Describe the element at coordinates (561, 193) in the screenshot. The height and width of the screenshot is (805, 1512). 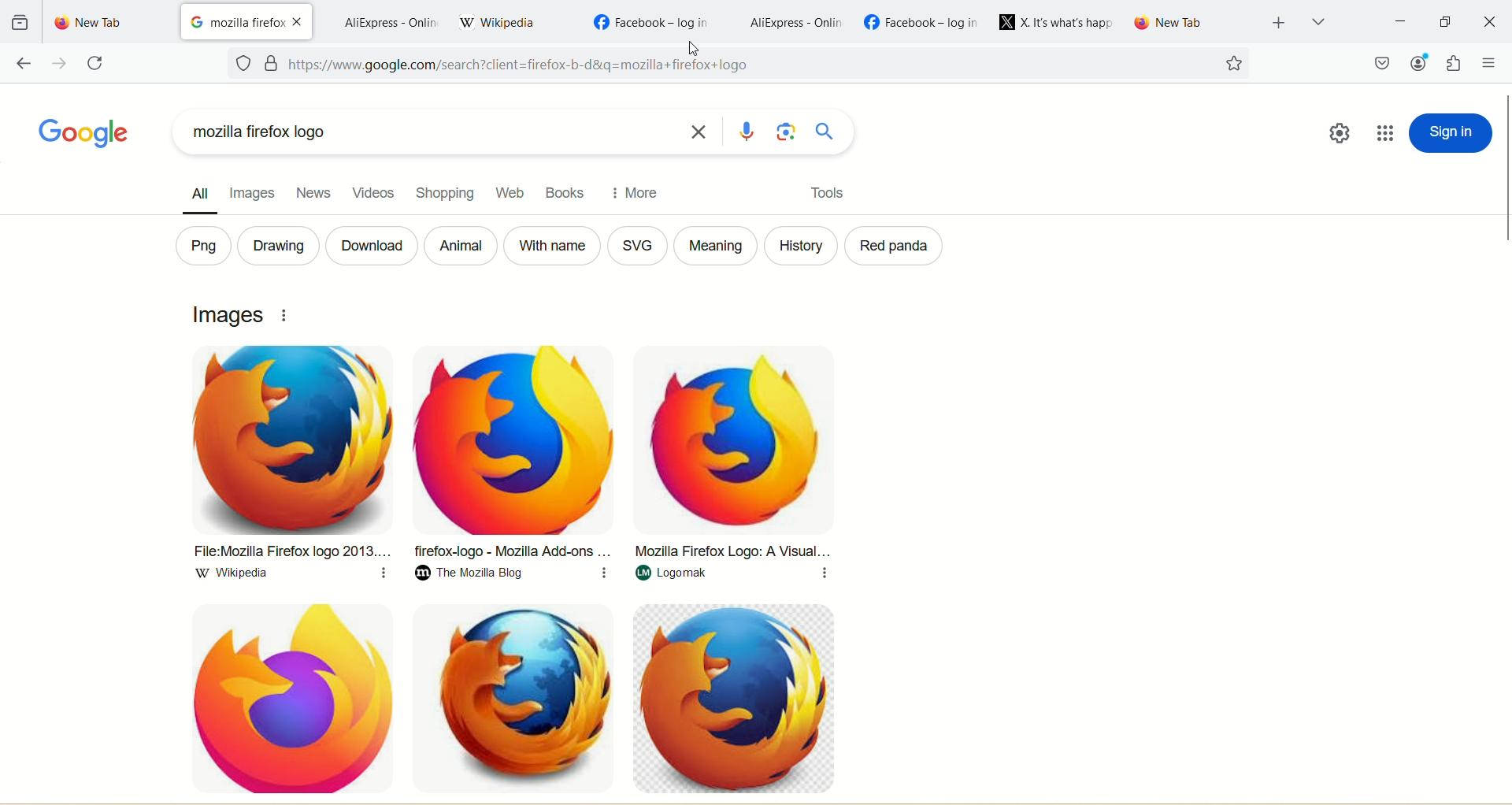
I see `books` at that location.